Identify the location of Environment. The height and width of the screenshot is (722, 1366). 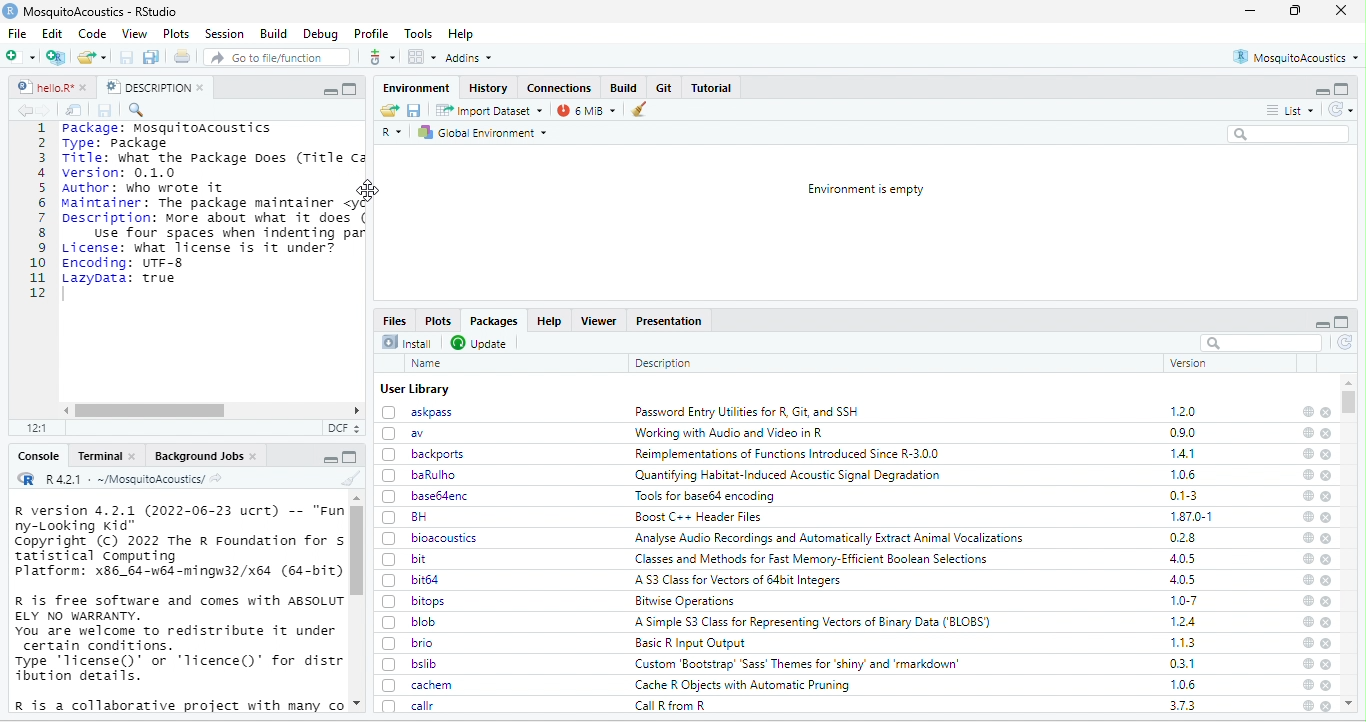
(418, 89).